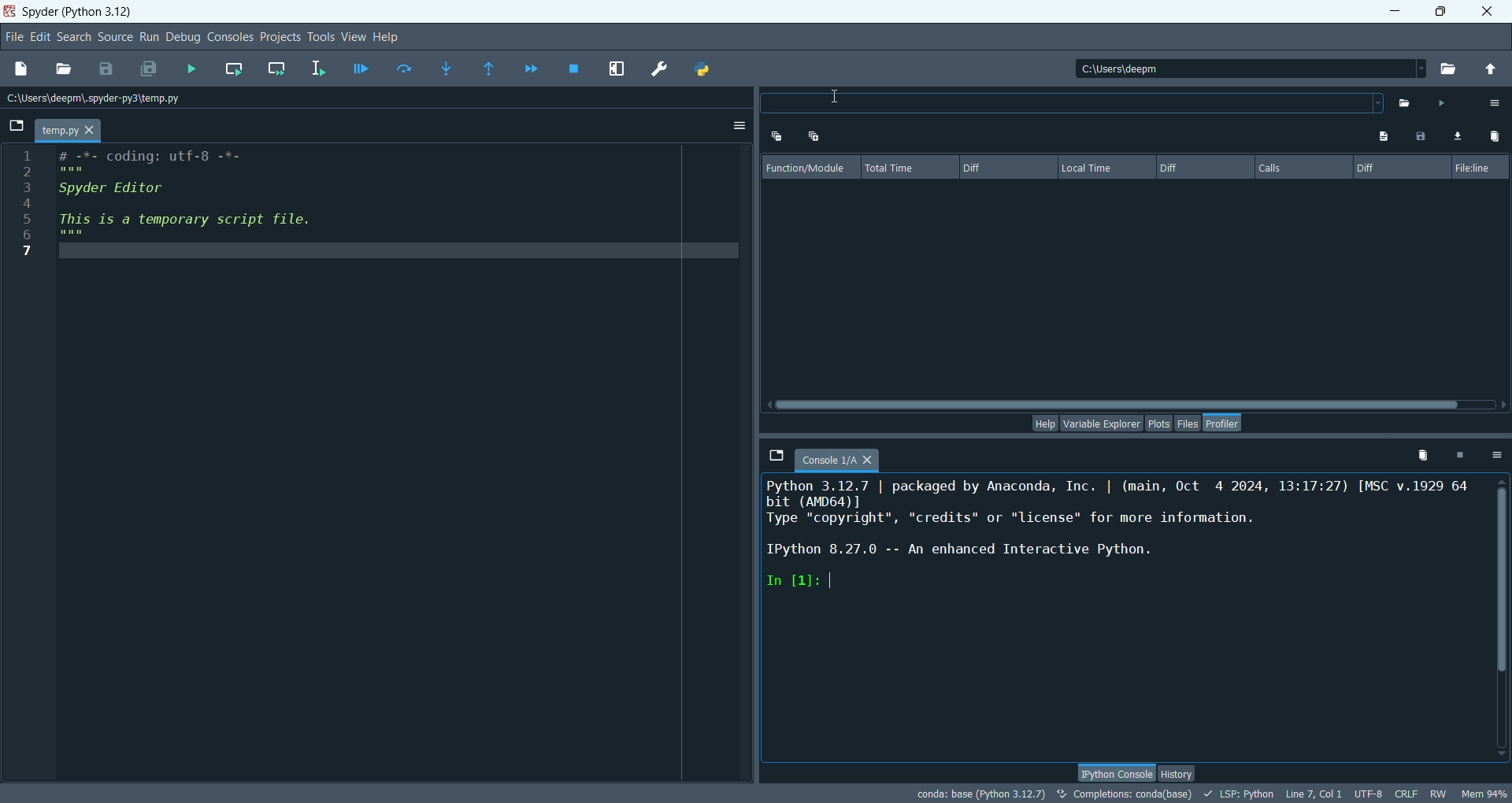 This screenshot has height=803, width=1512. Describe the element at coordinates (1160, 424) in the screenshot. I see `plots` at that location.